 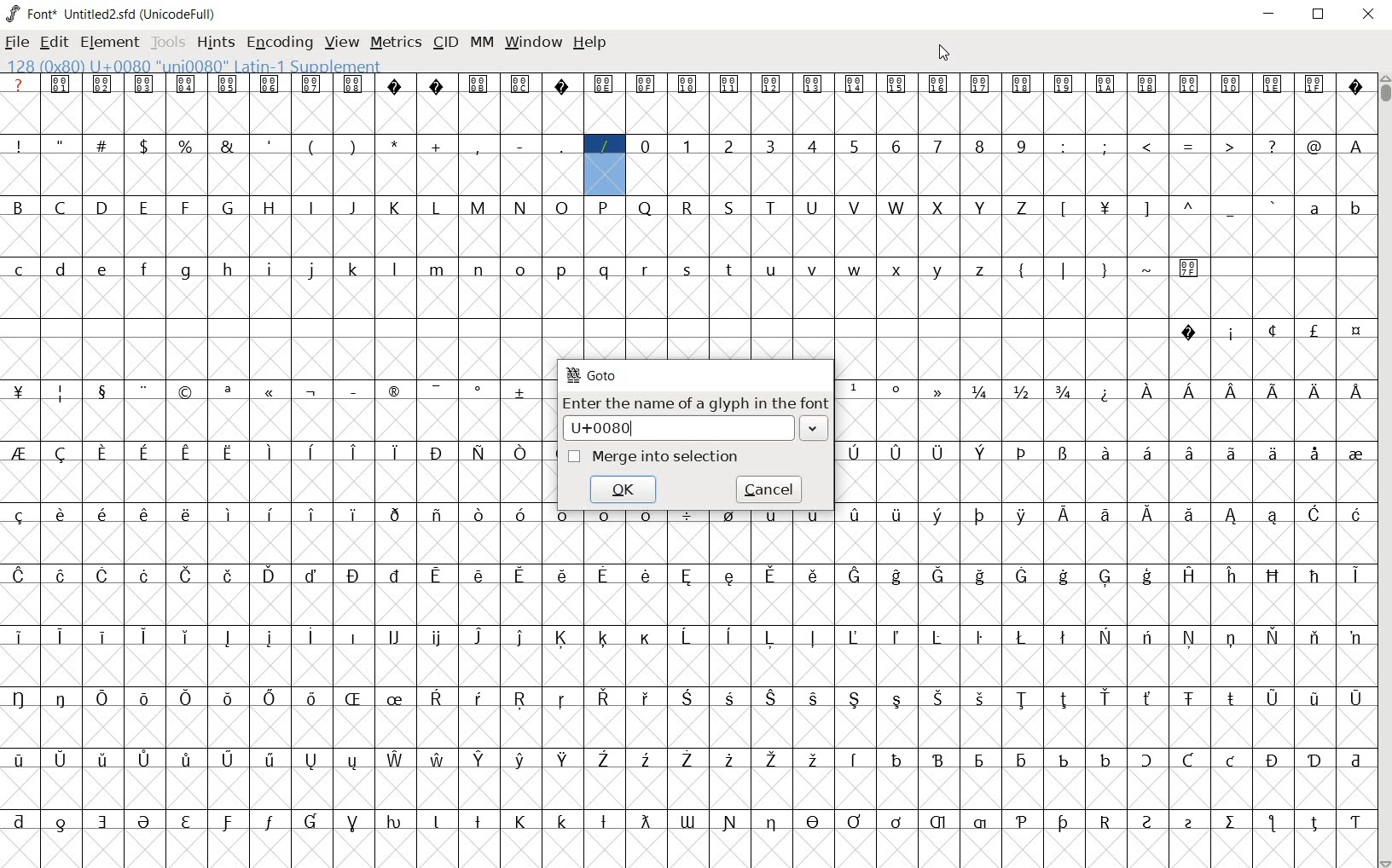 What do you see at coordinates (478, 208) in the screenshot?
I see `glyph` at bounding box center [478, 208].